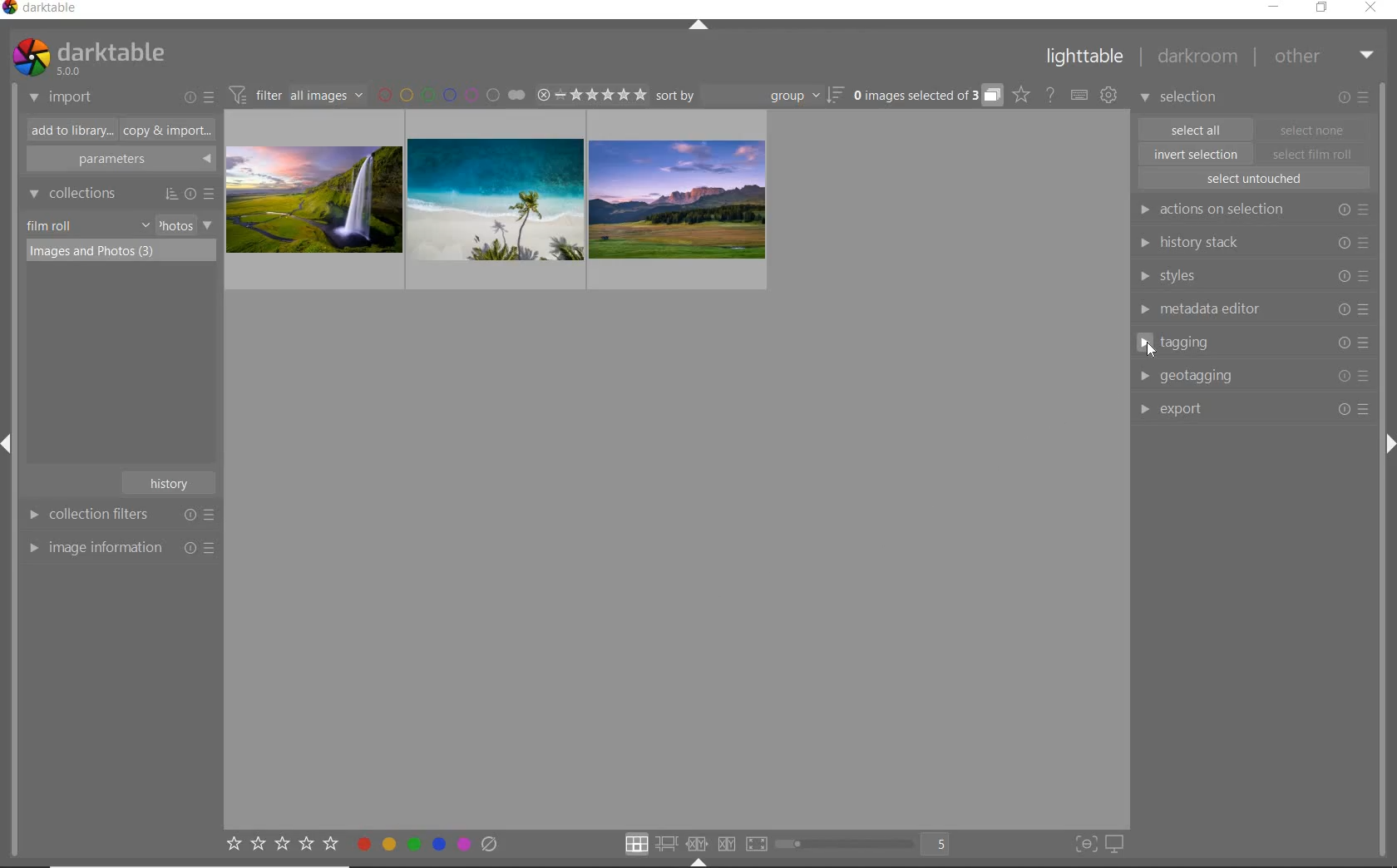 The width and height of the screenshot is (1397, 868). Describe the element at coordinates (199, 96) in the screenshot. I see `import or presets & preferences` at that location.